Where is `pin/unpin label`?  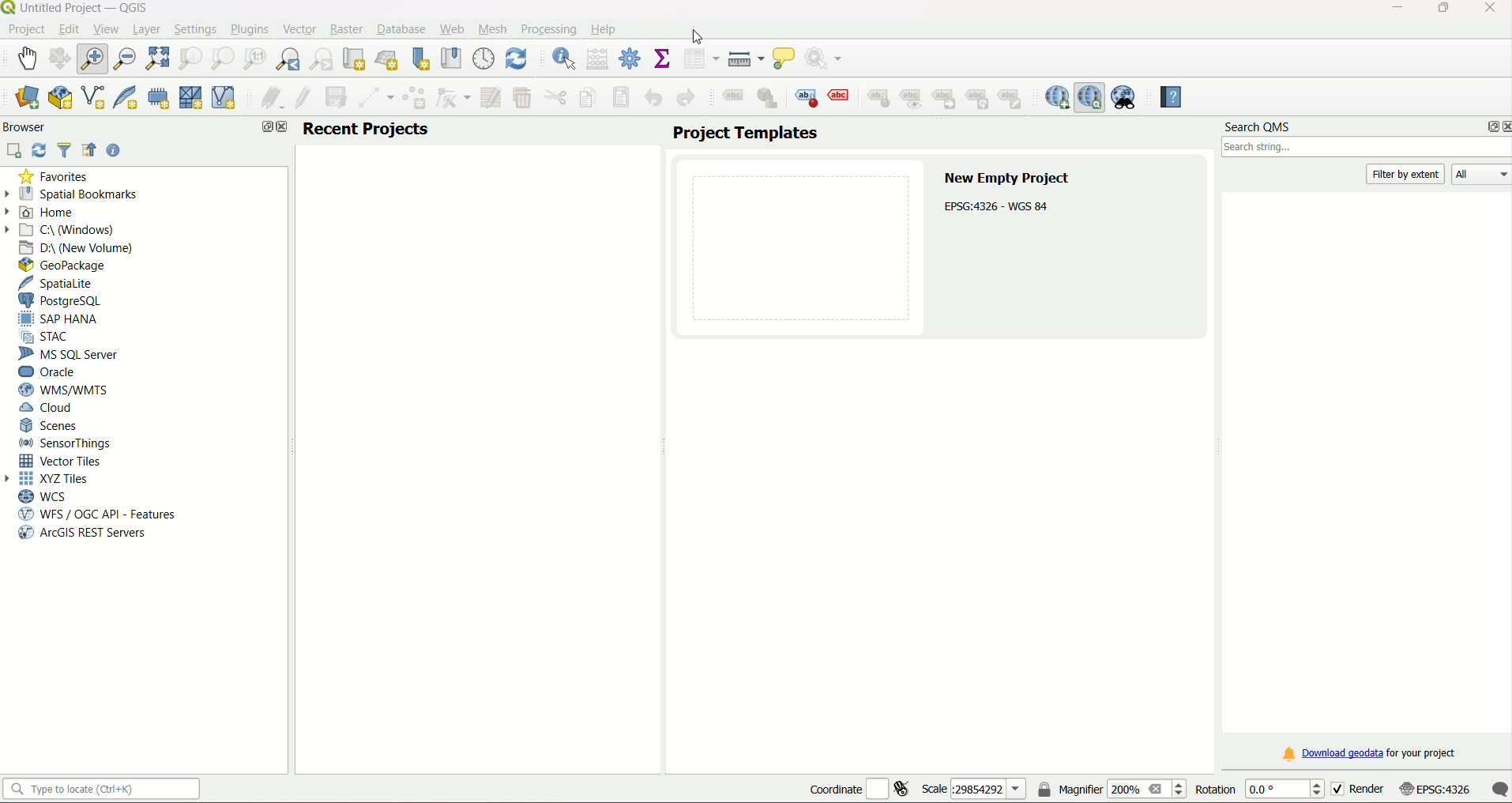
pin/unpin label is located at coordinates (877, 97).